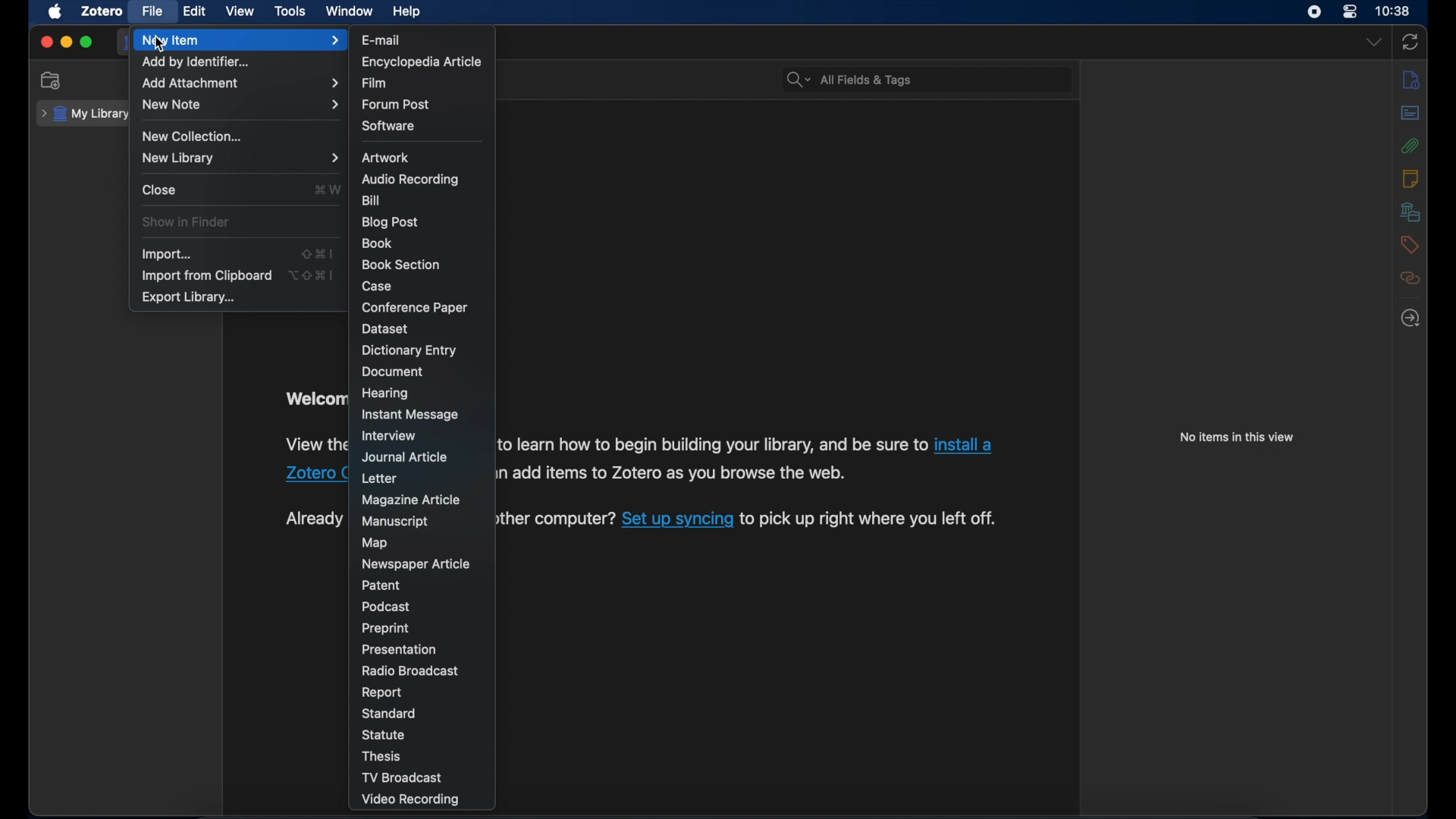 This screenshot has height=819, width=1456. What do you see at coordinates (404, 457) in the screenshot?
I see `journal article` at bounding box center [404, 457].